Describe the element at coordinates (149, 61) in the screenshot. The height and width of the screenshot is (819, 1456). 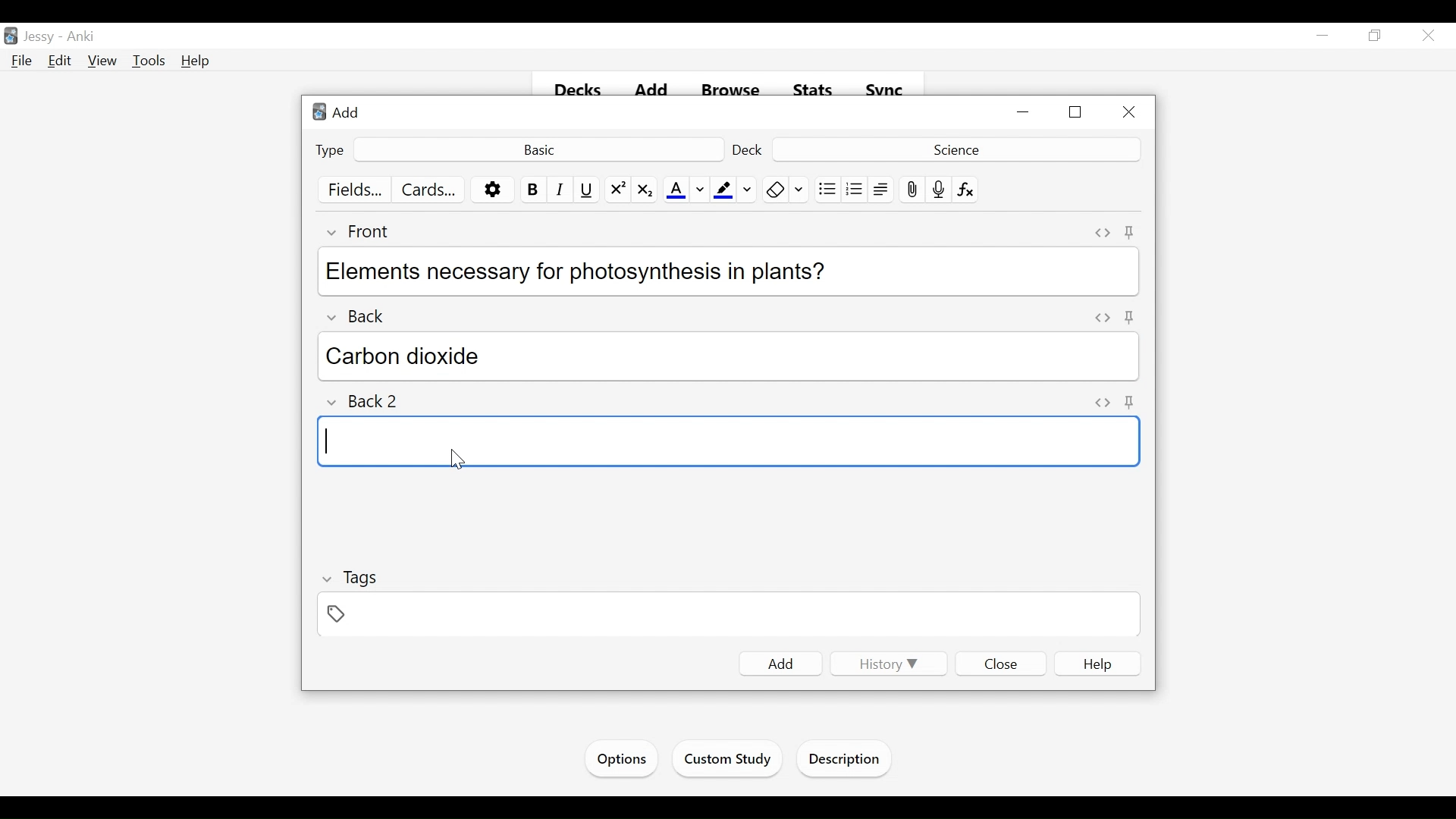
I see `Tools` at that location.